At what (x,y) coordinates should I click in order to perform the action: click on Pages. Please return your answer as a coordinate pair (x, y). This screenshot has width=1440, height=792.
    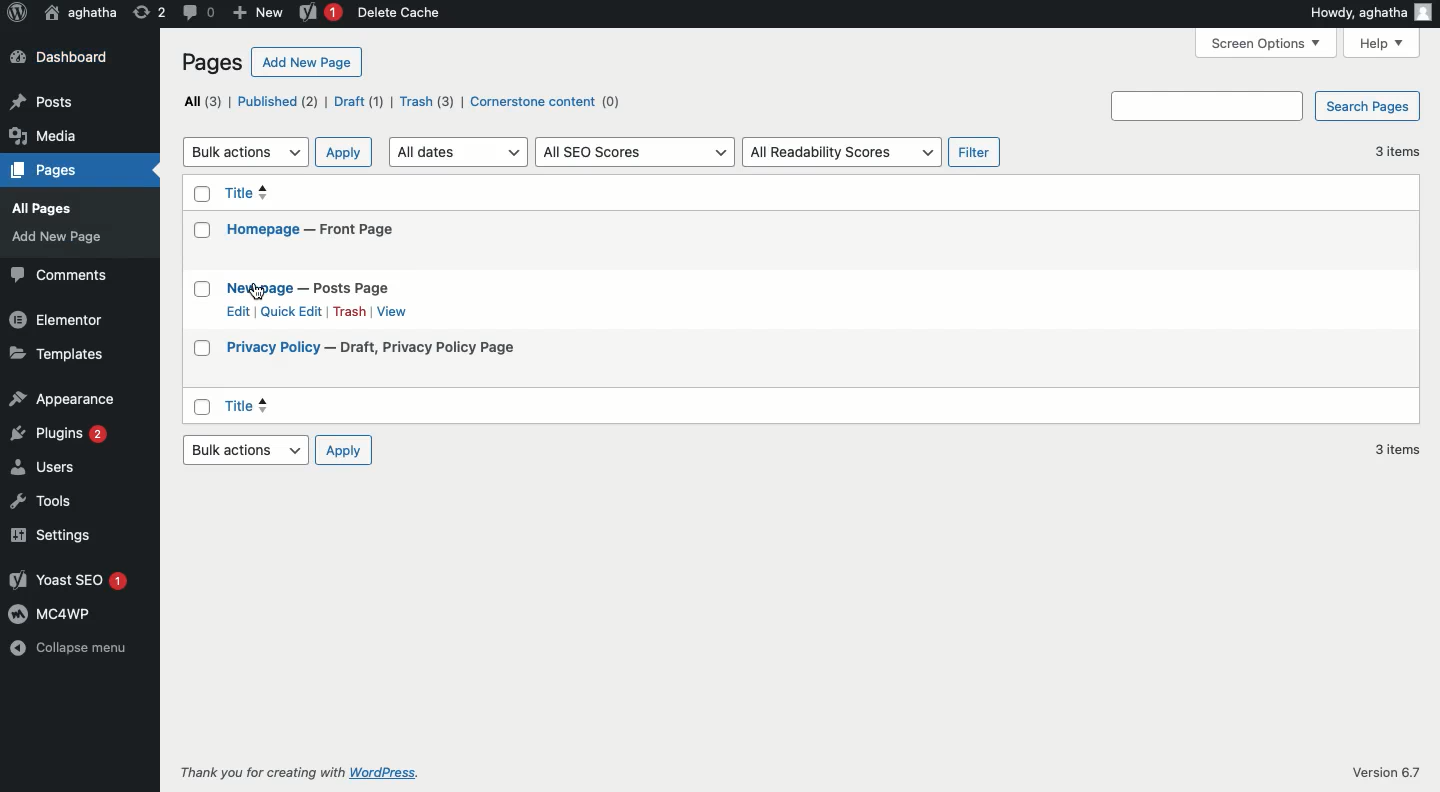
    Looking at the image, I should click on (212, 63).